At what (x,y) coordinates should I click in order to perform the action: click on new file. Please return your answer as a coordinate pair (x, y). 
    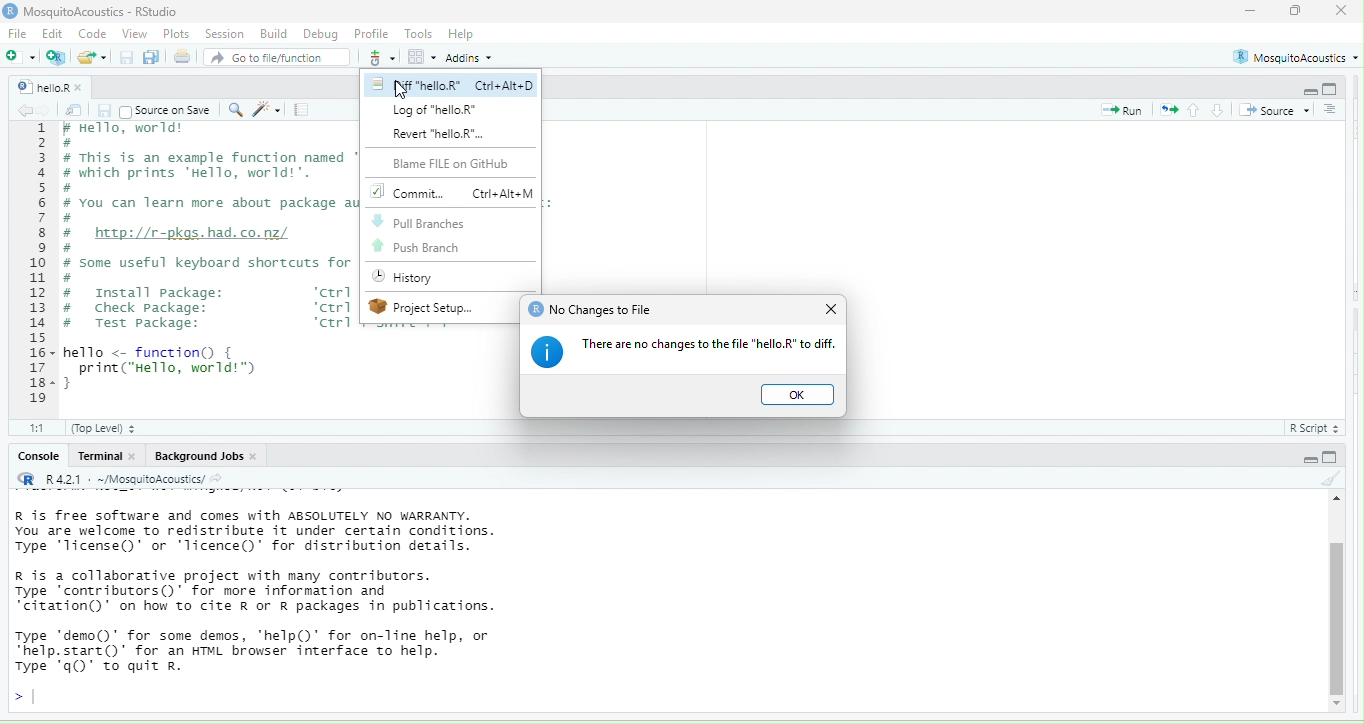
    Looking at the image, I should click on (21, 56).